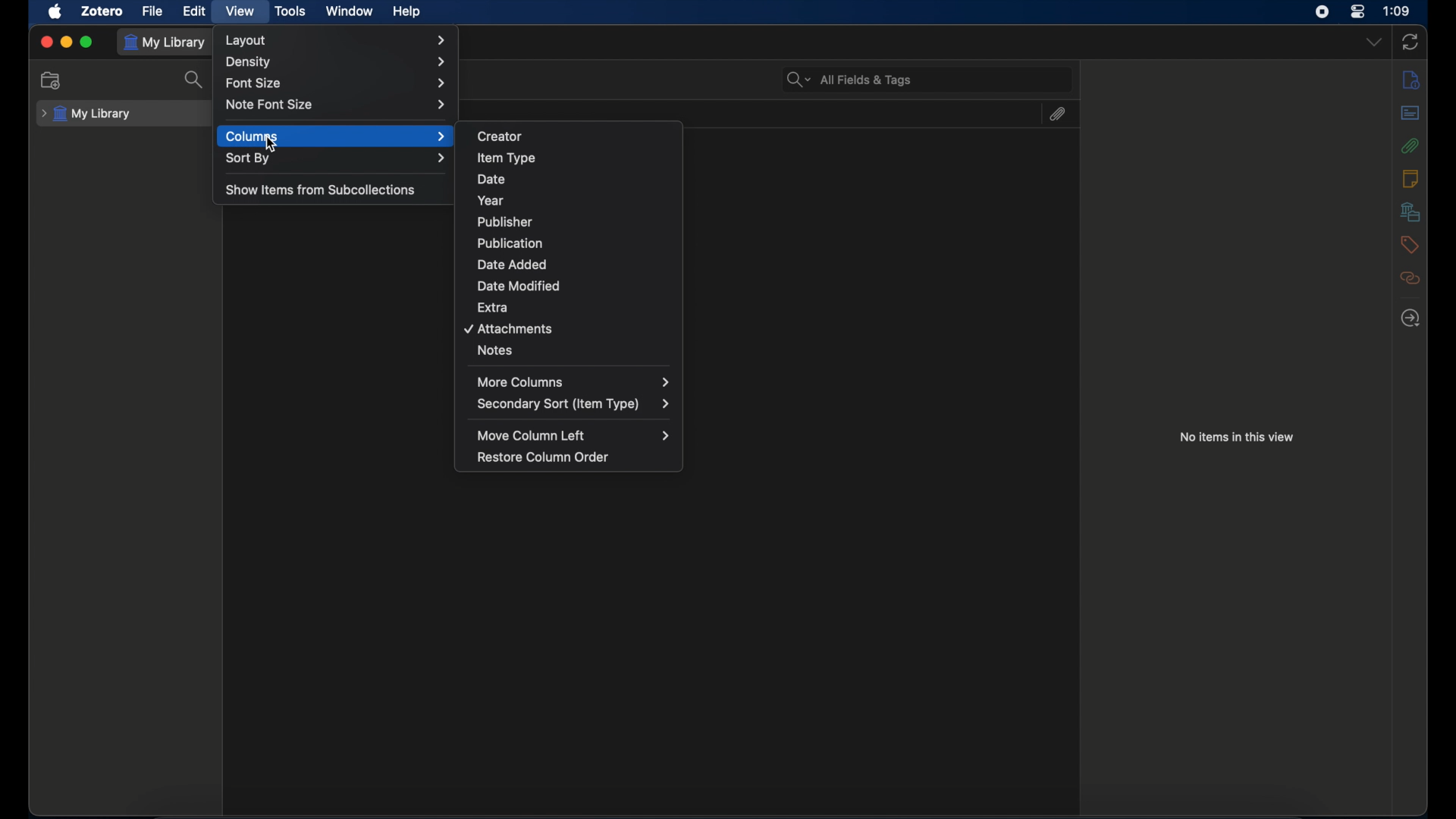 Image resolution: width=1456 pixels, height=819 pixels. I want to click on attachments, so click(1056, 114).